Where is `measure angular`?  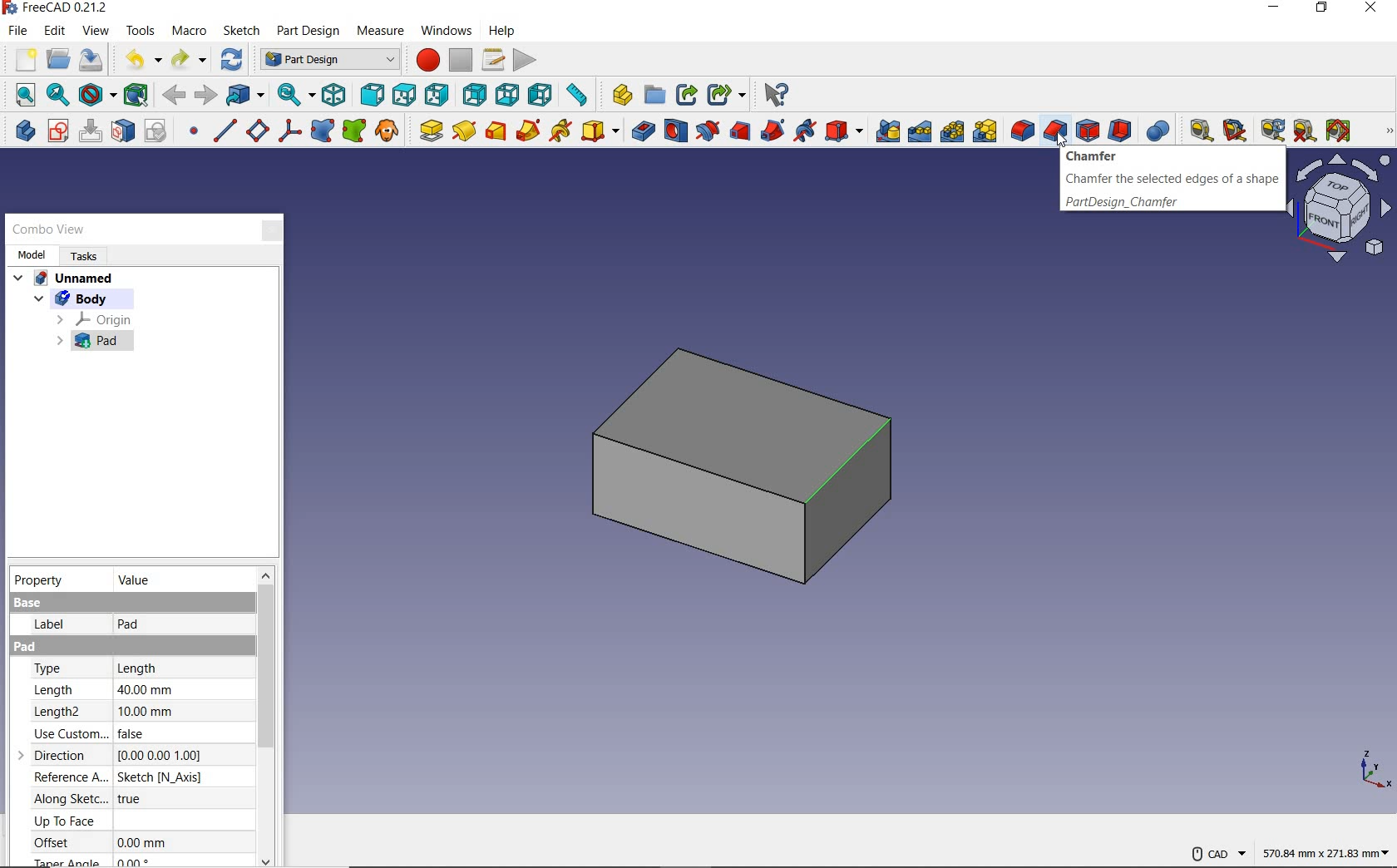 measure angular is located at coordinates (1232, 129).